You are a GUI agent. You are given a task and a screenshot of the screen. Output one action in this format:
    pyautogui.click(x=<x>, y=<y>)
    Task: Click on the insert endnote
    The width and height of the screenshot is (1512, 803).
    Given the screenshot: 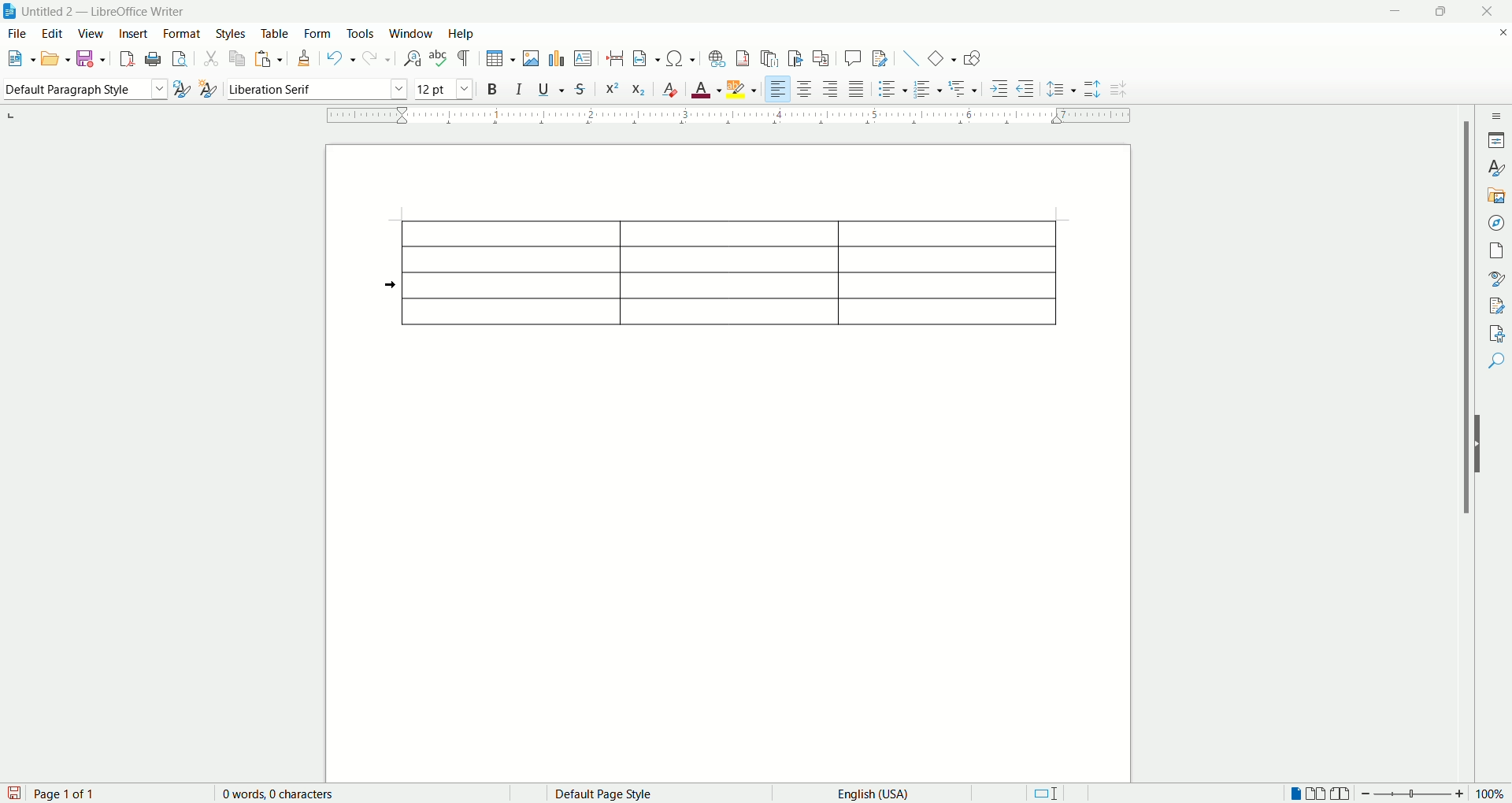 What is the action you would take?
    pyautogui.click(x=769, y=57)
    